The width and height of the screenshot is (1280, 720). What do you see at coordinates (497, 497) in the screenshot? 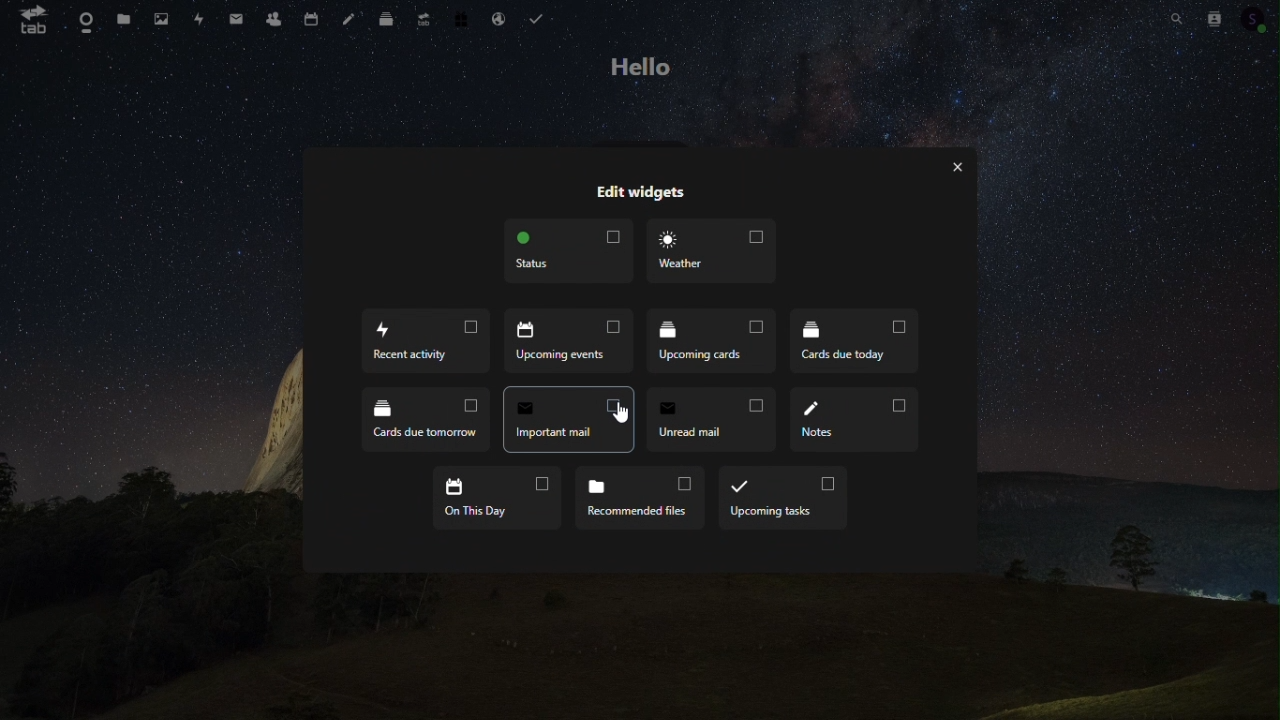
I see `On this day` at bounding box center [497, 497].